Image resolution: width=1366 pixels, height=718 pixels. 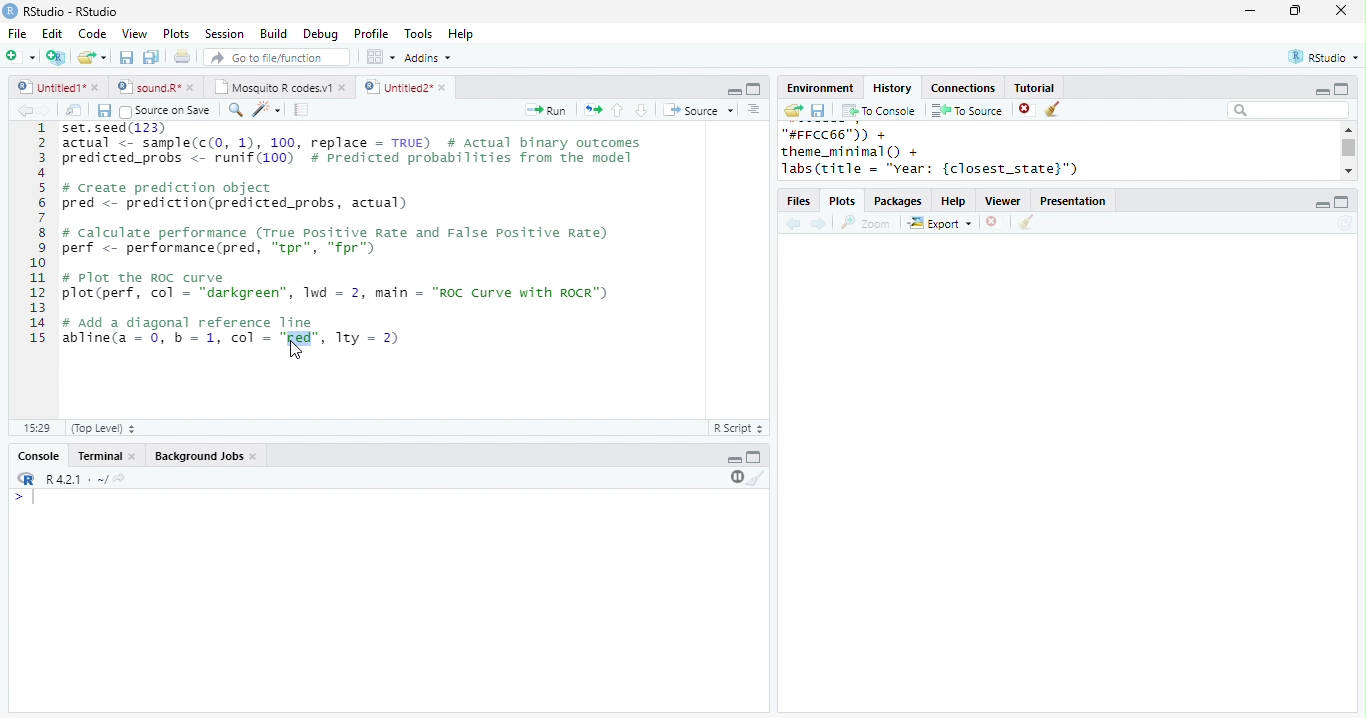 I want to click on Top Level, so click(x=105, y=428).